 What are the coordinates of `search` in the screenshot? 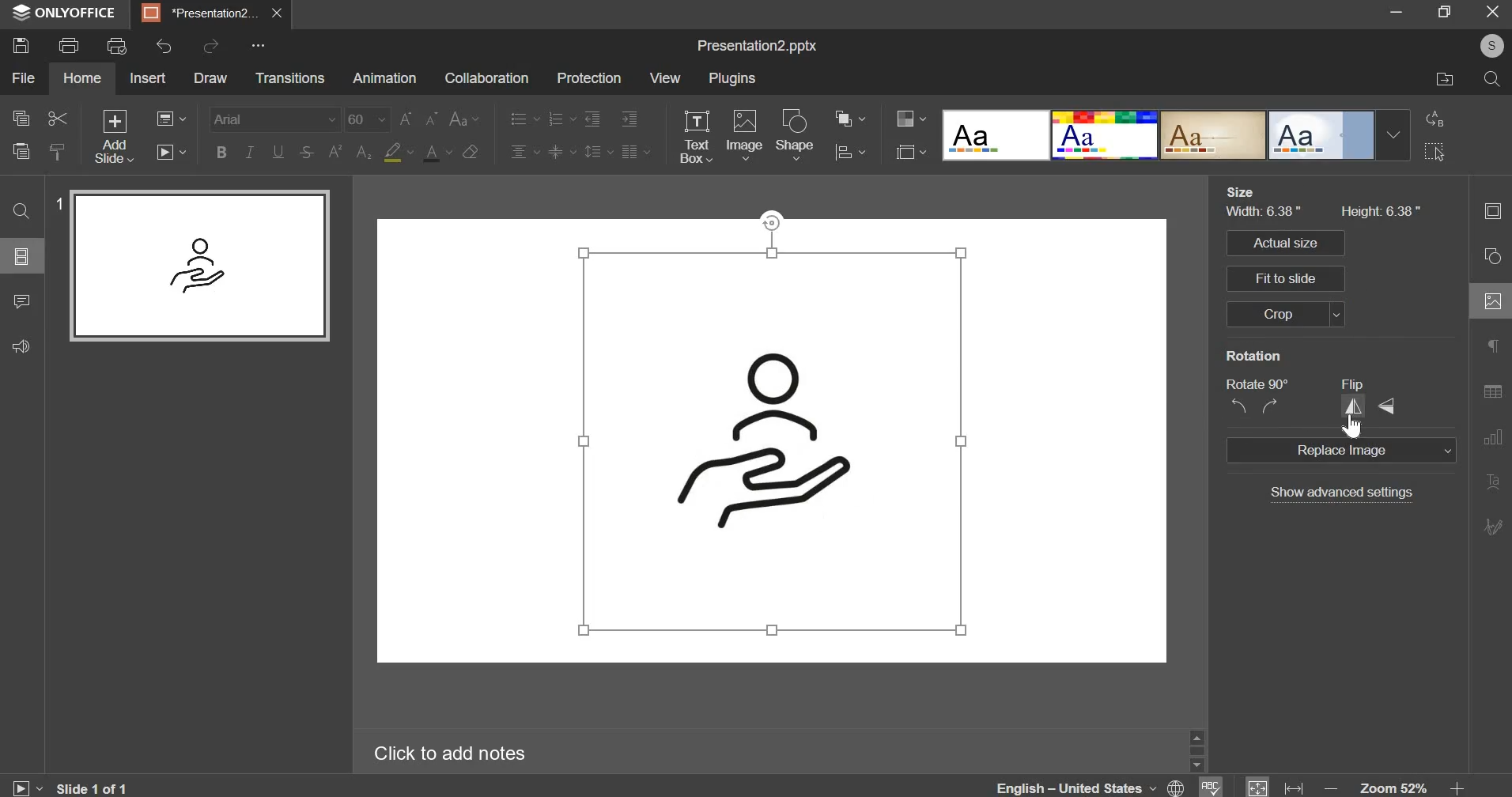 It's located at (1489, 77).